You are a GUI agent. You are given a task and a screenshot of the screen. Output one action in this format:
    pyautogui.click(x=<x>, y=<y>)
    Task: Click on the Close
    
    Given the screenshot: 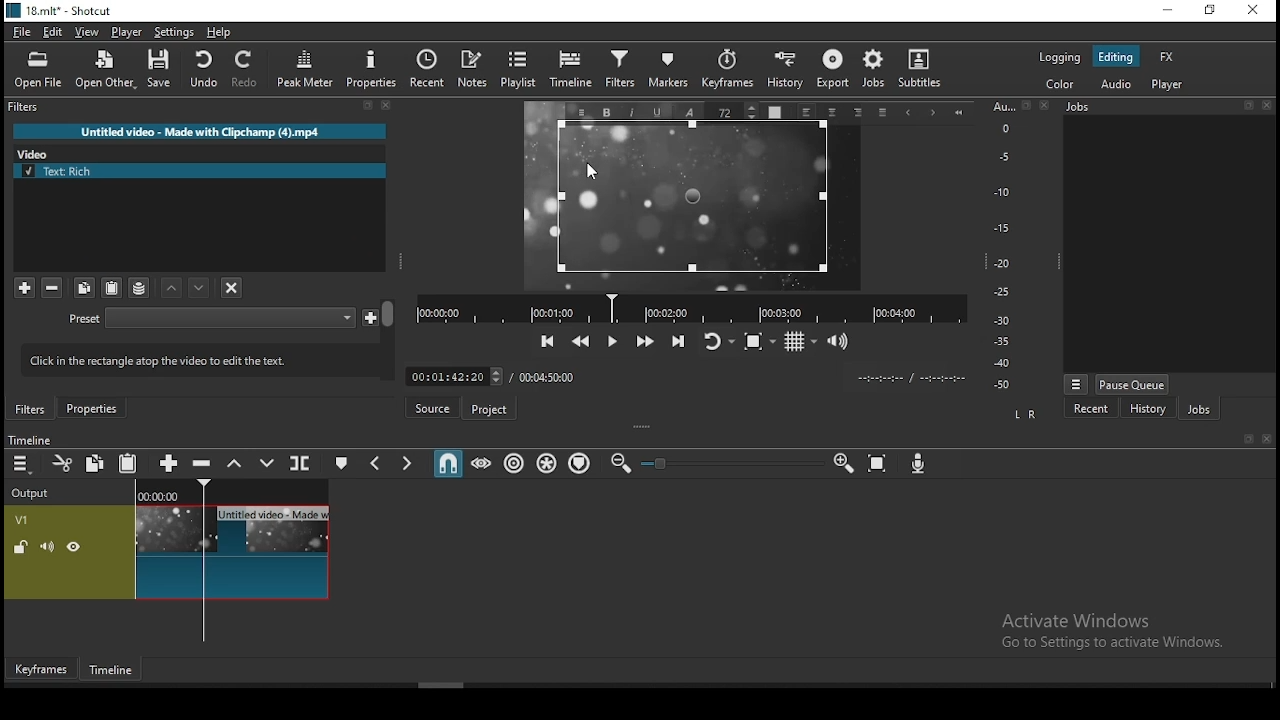 What is the action you would take?
    pyautogui.click(x=1266, y=105)
    